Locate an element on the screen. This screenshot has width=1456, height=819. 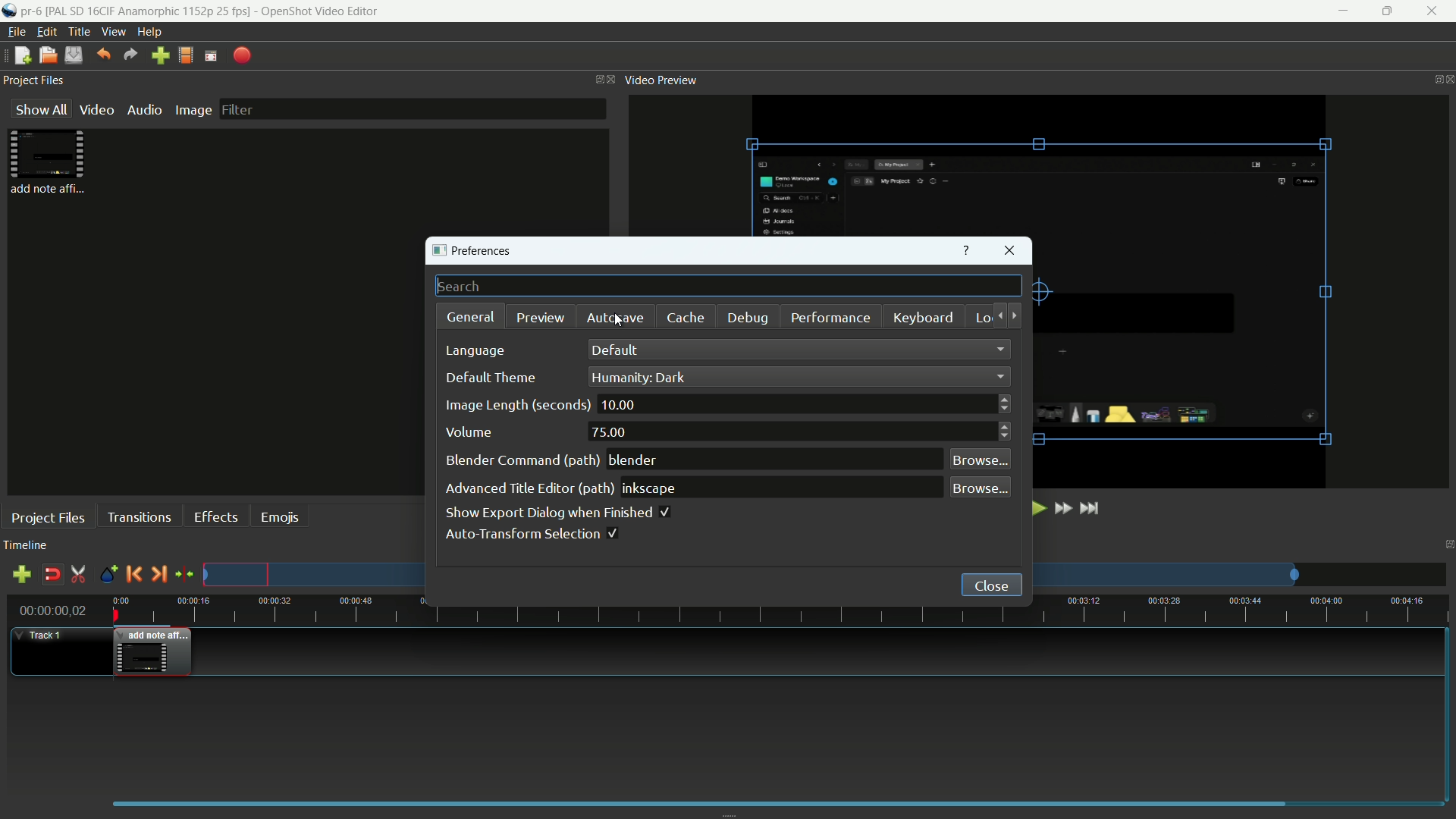
browse is located at coordinates (979, 488).